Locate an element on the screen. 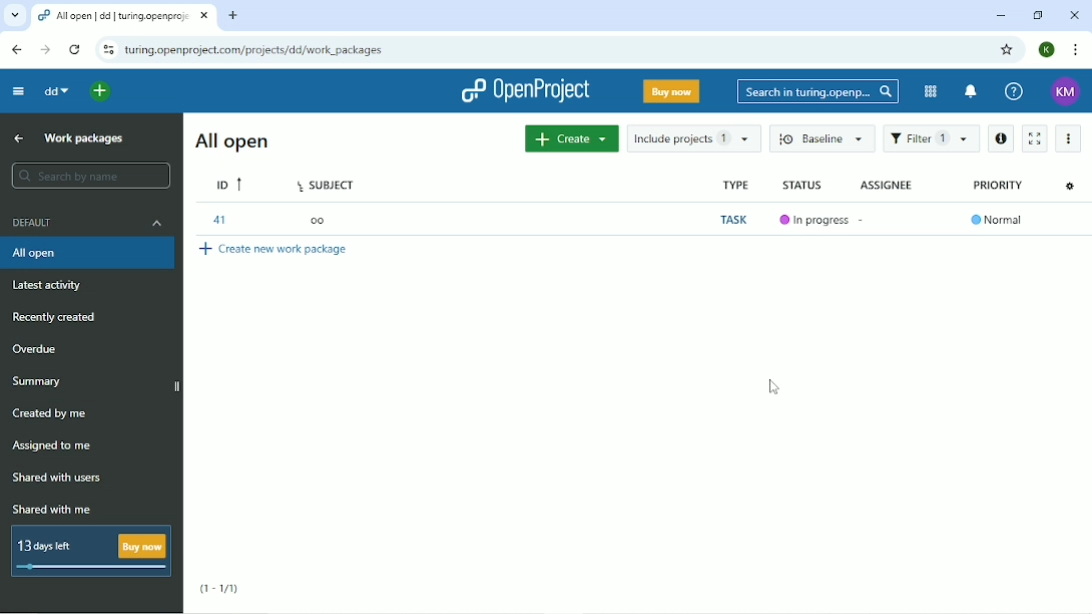 This screenshot has height=614, width=1092. Latest activity is located at coordinates (46, 286).